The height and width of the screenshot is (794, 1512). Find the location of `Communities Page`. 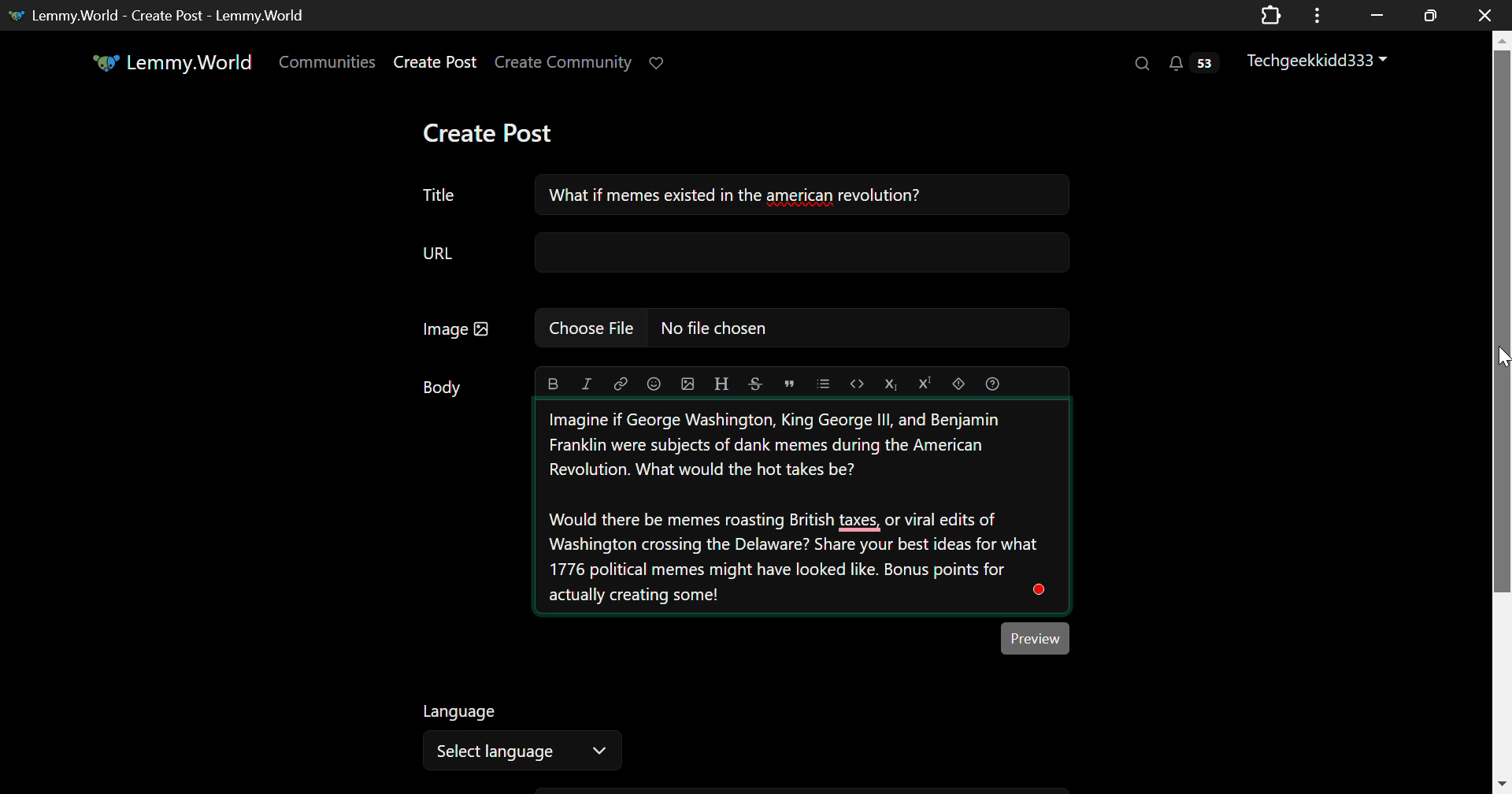

Communities Page is located at coordinates (326, 61).